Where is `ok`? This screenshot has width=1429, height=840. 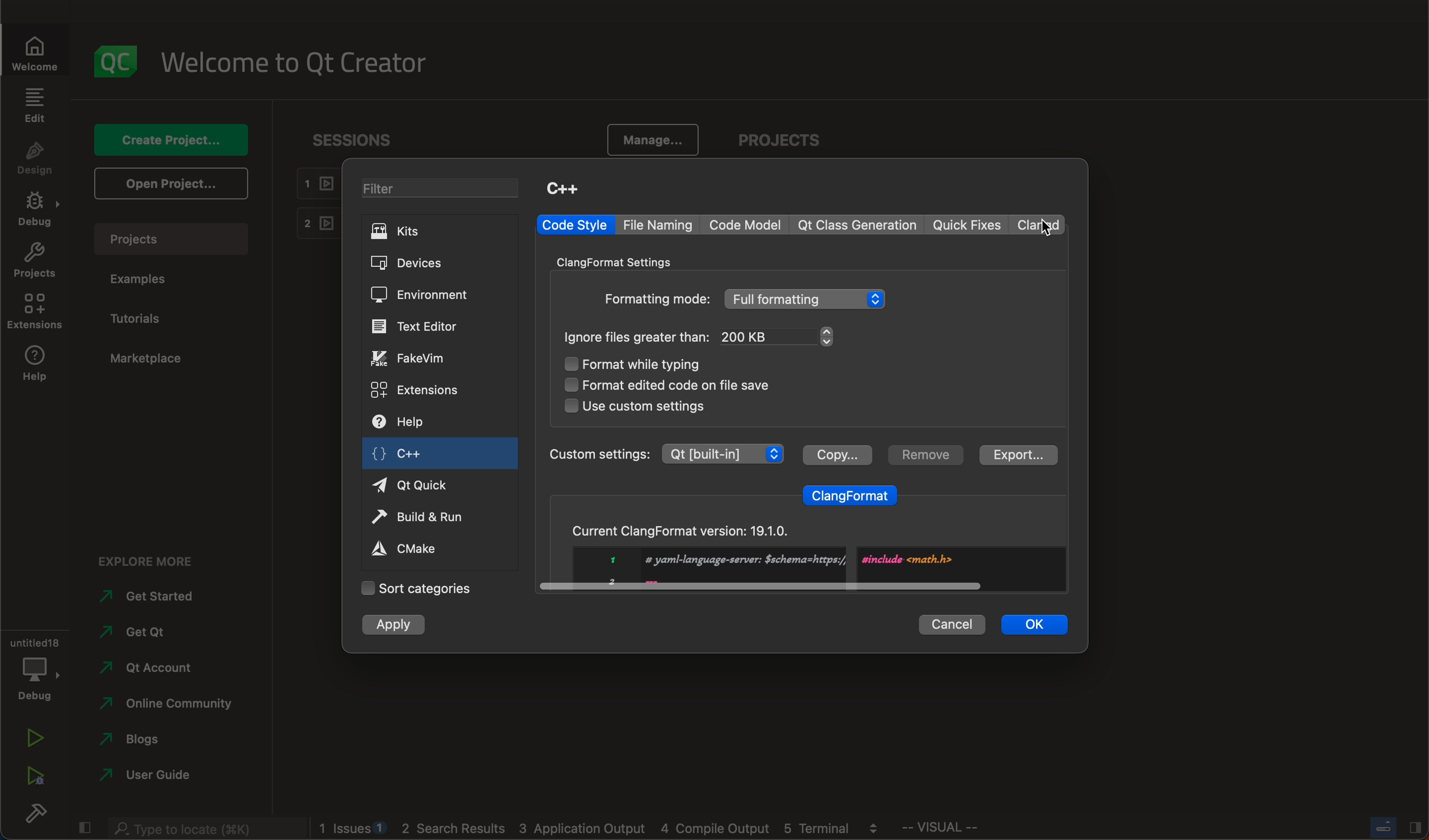 ok is located at coordinates (1034, 623).